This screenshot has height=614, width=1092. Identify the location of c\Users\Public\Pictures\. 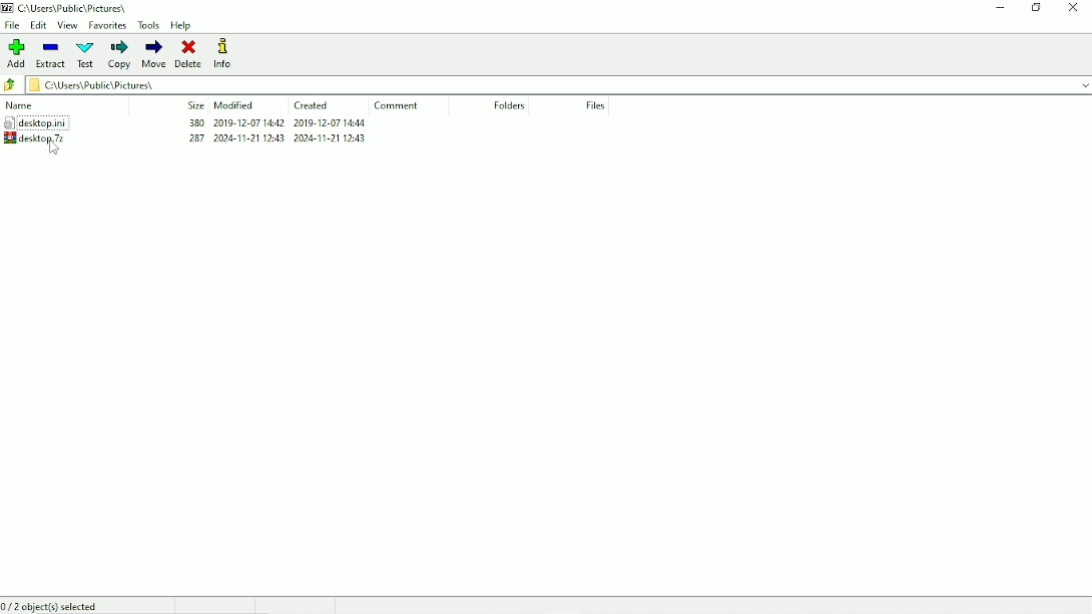
(559, 86).